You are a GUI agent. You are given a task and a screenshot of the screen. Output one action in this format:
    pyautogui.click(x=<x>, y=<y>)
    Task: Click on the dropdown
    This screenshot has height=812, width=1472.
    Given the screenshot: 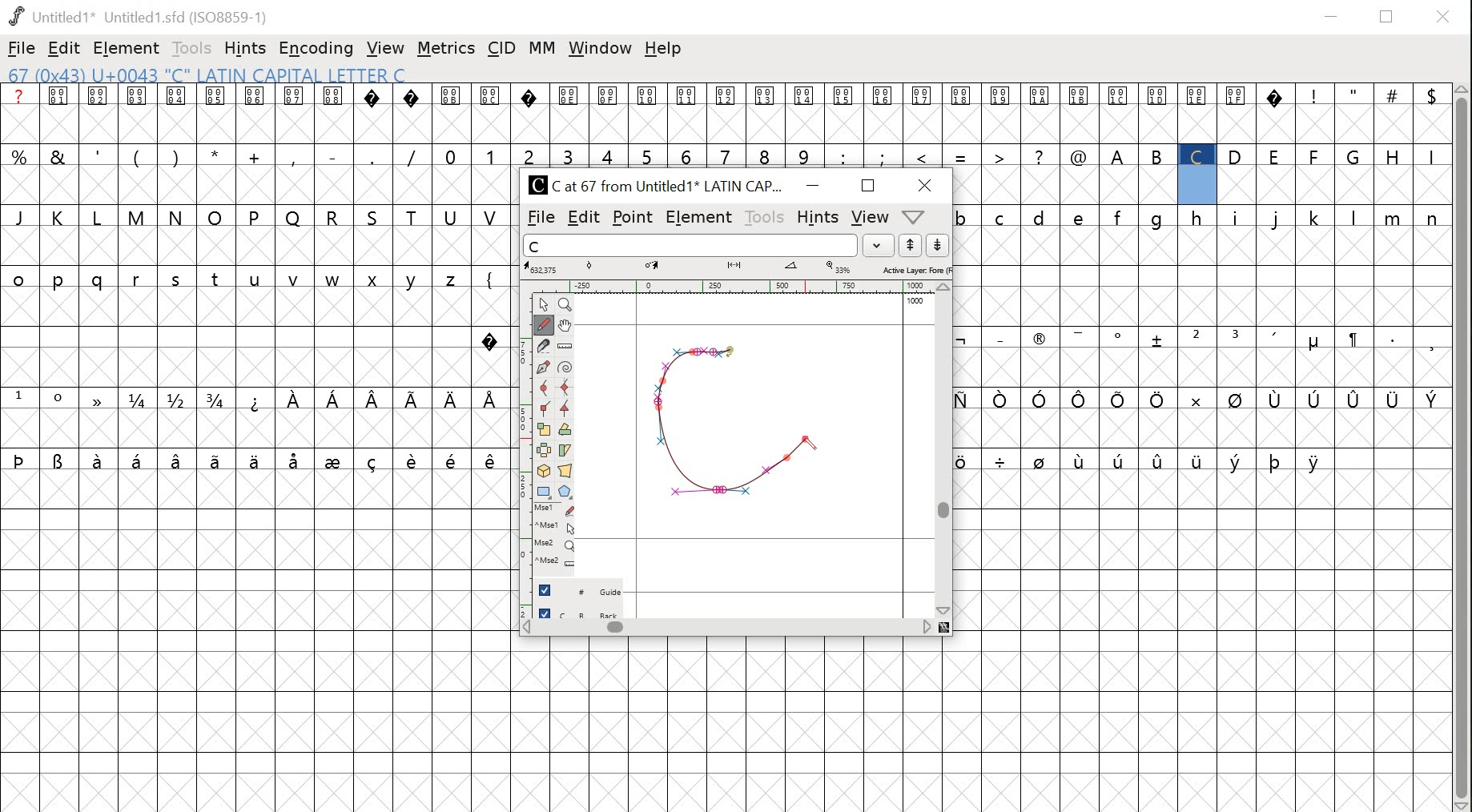 What is the action you would take?
    pyautogui.click(x=915, y=215)
    